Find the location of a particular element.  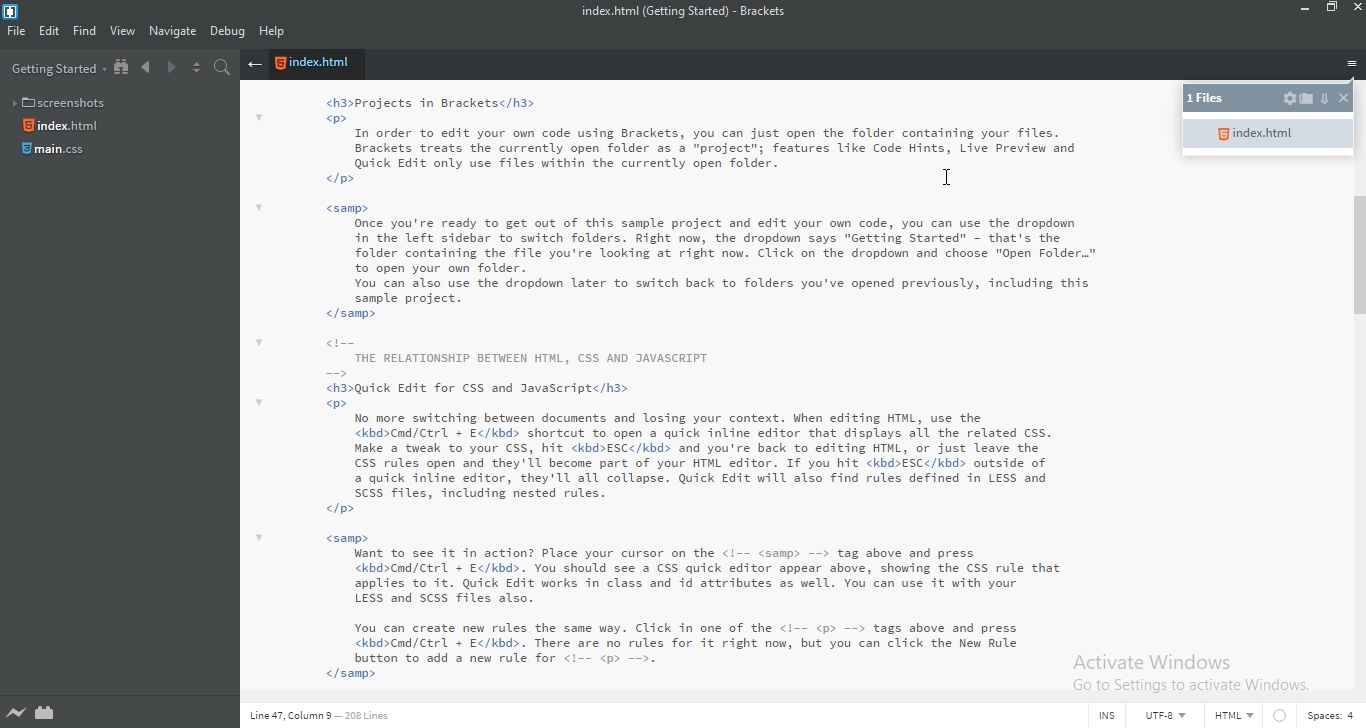

logo is located at coordinates (15, 11).